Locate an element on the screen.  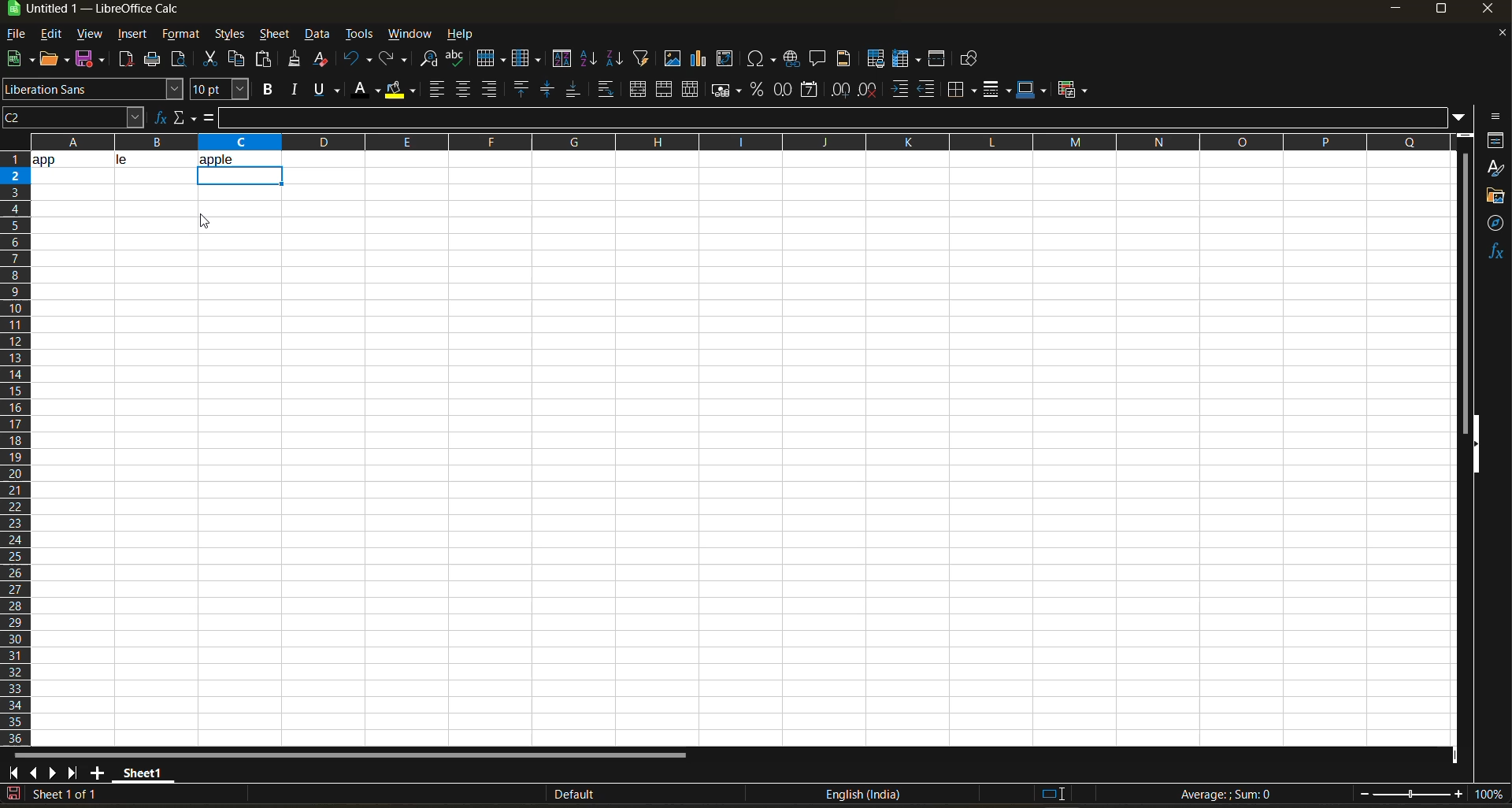
increase indent is located at coordinates (902, 90).